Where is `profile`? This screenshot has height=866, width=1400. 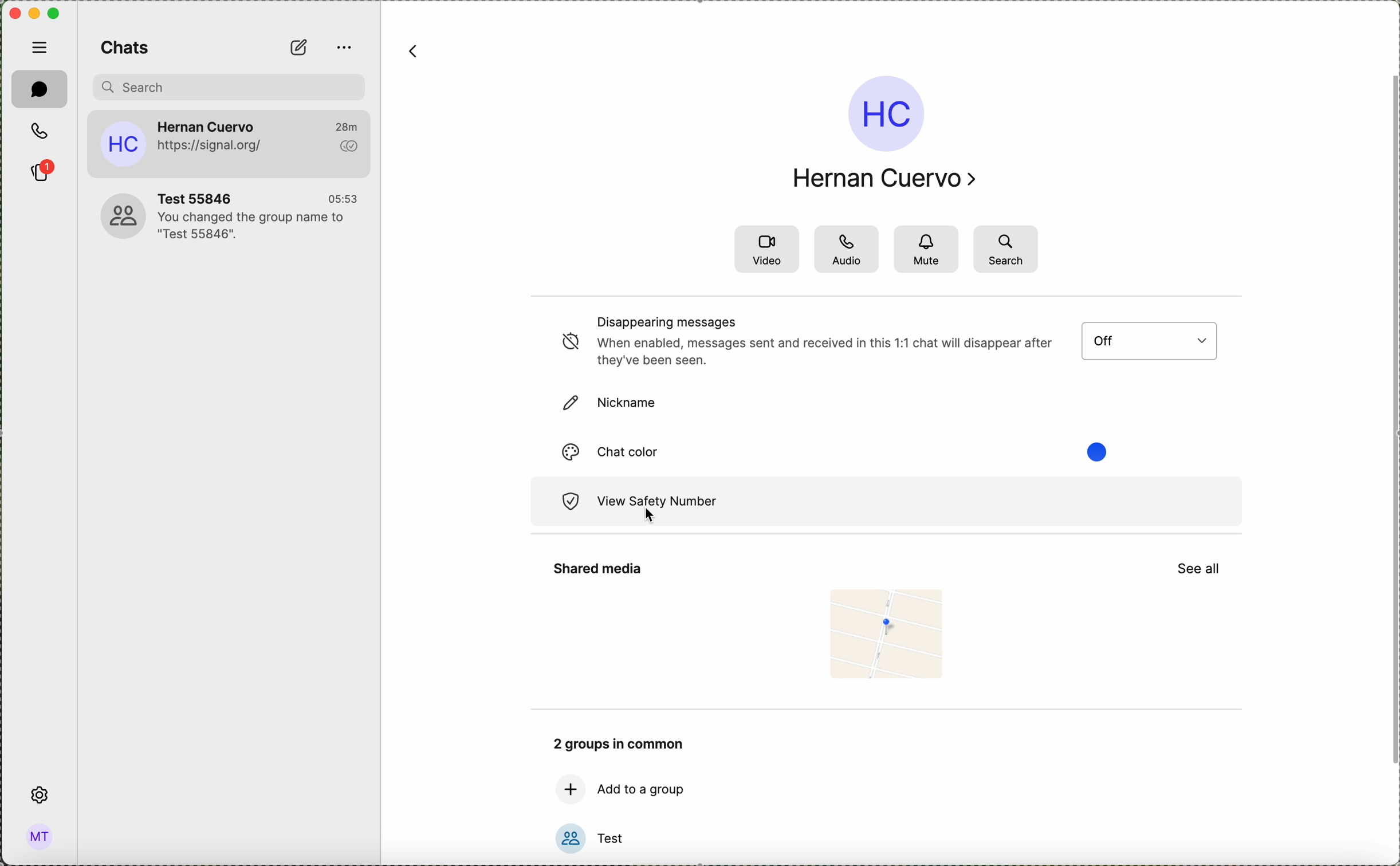
profile is located at coordinates (40, 836).